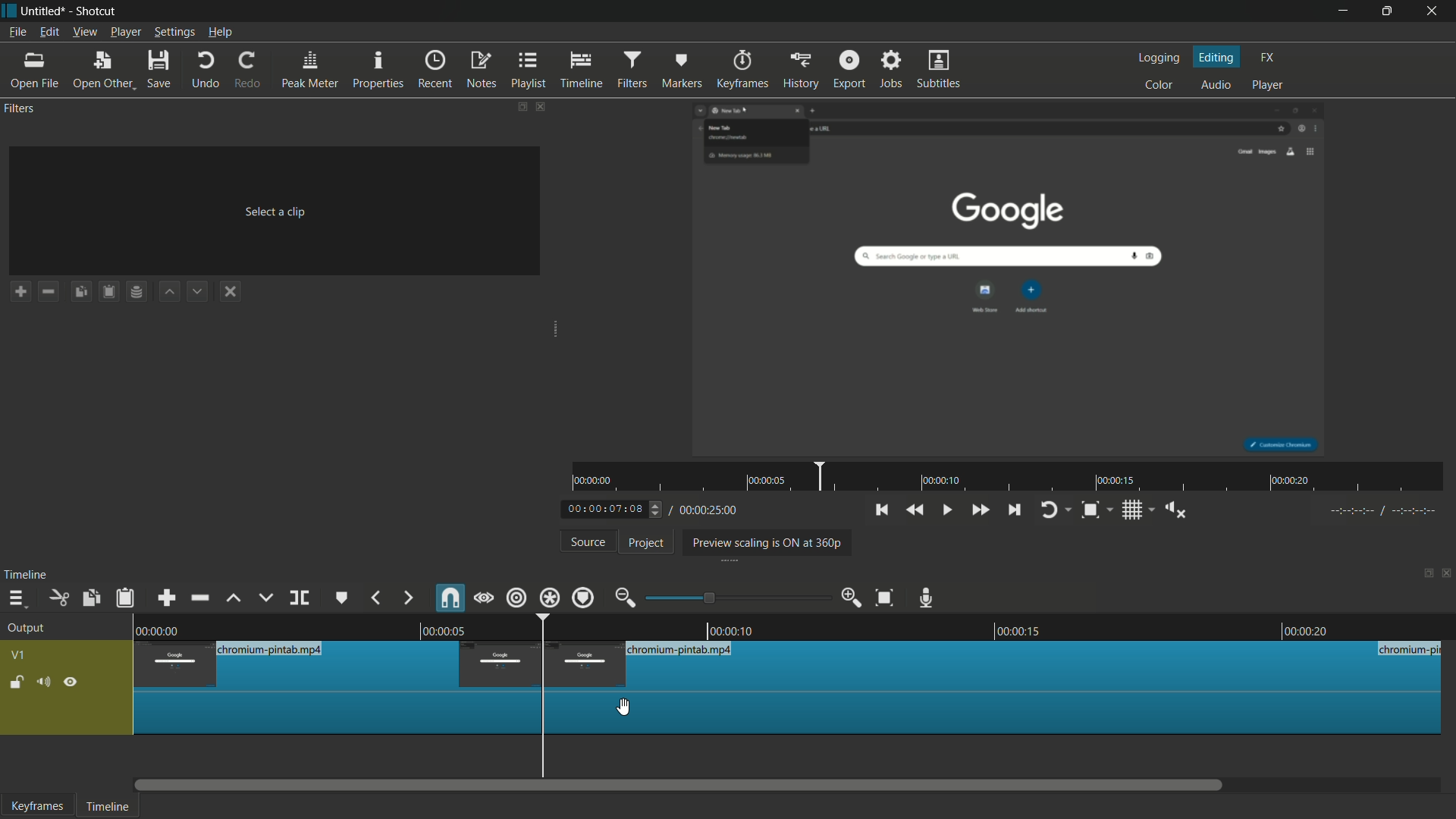 The image size is (1456, 819). What do you see at coordinates (160, 69) in the screenshot?
I see `save` at bounding box center [160, 69].